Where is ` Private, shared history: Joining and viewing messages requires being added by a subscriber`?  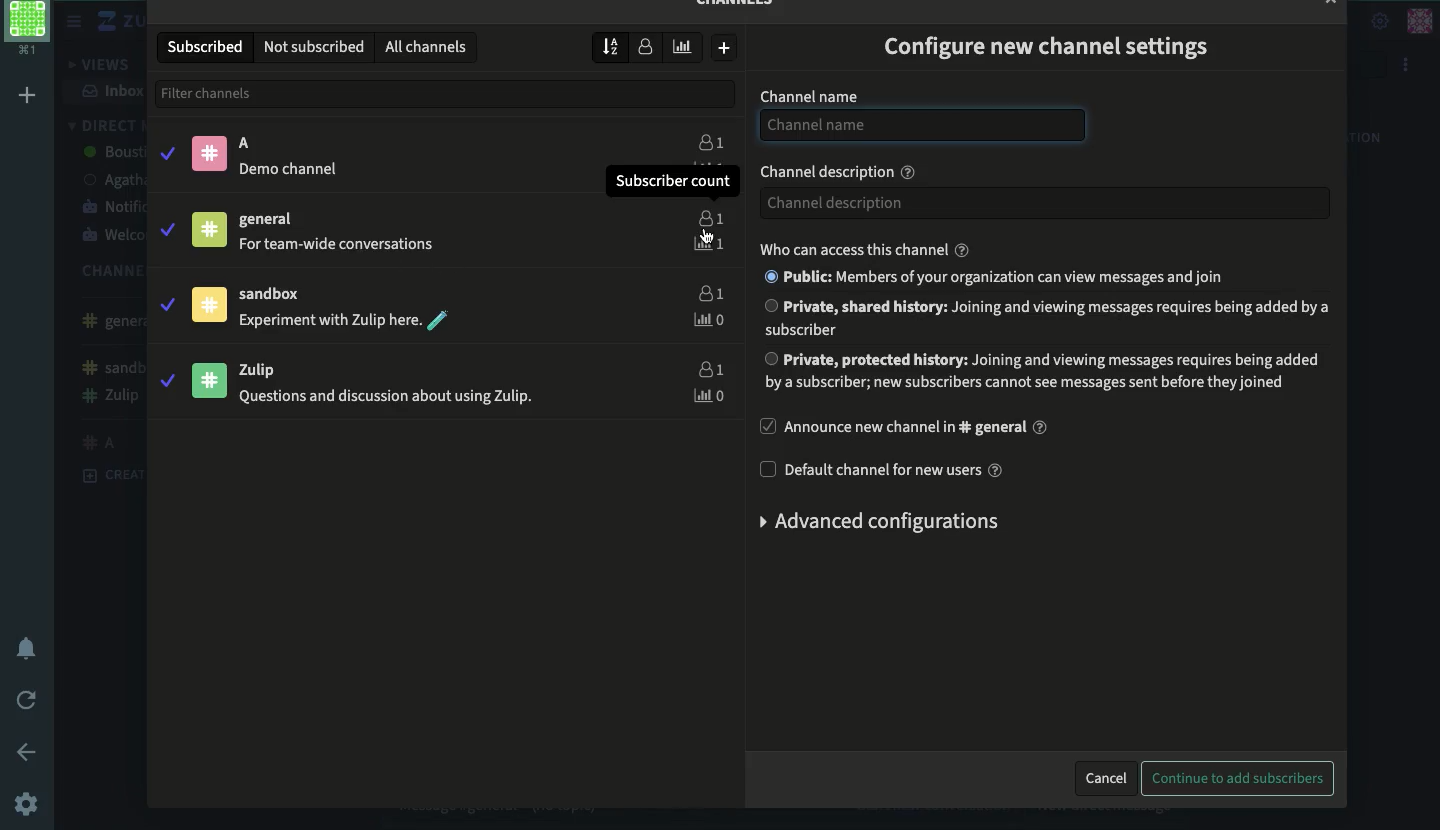  Private, shared history: Joining and viewing messages requires being added by a subscriber is located at coordinates (1048, 320).